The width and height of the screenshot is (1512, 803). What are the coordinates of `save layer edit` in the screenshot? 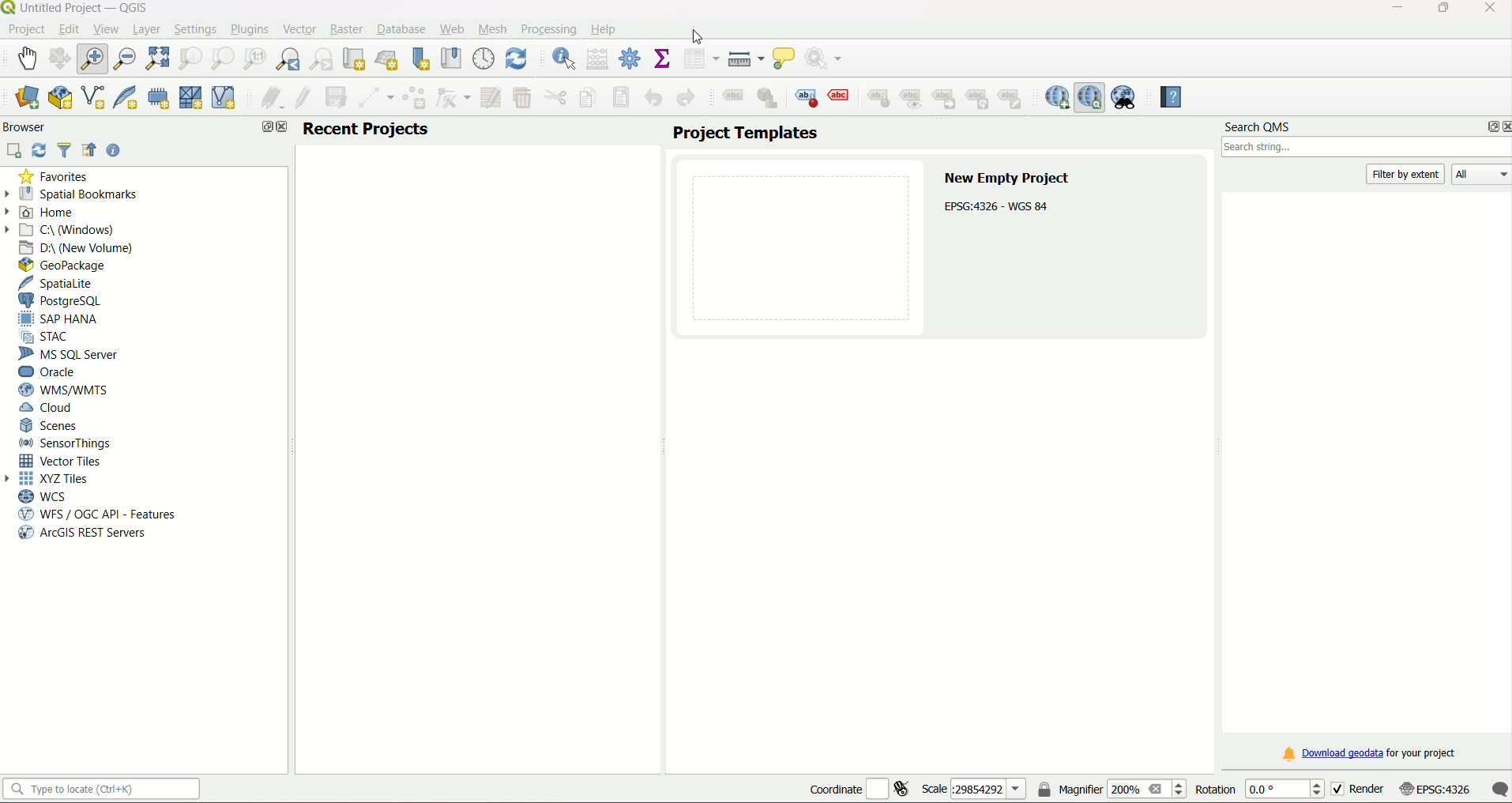 It's located at (337, 97).